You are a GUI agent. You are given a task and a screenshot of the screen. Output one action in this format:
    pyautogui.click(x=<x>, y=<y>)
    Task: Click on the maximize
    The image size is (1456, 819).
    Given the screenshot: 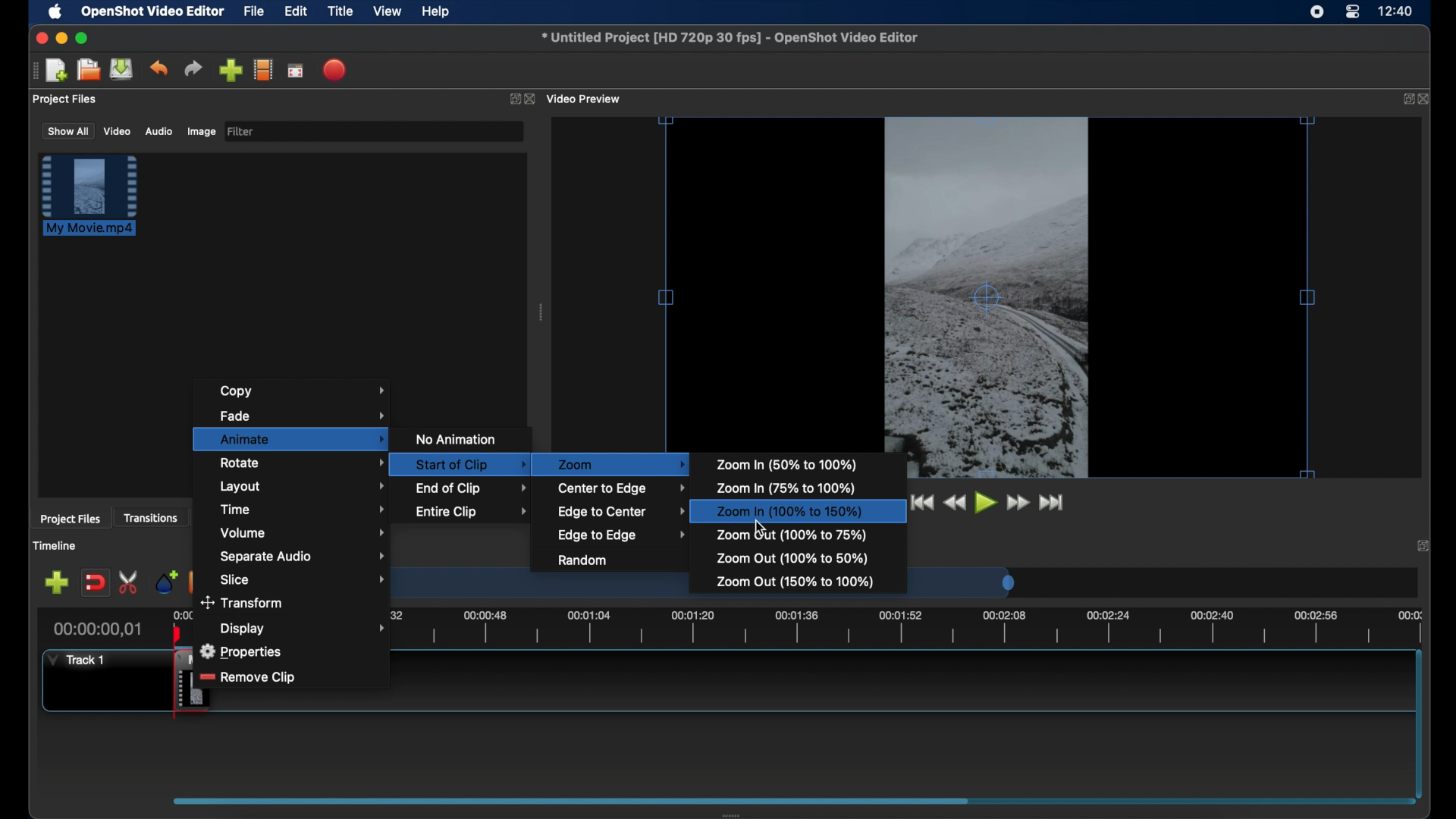 What is the action you would take?
    pyautogui.click(x=83, y=38)
    